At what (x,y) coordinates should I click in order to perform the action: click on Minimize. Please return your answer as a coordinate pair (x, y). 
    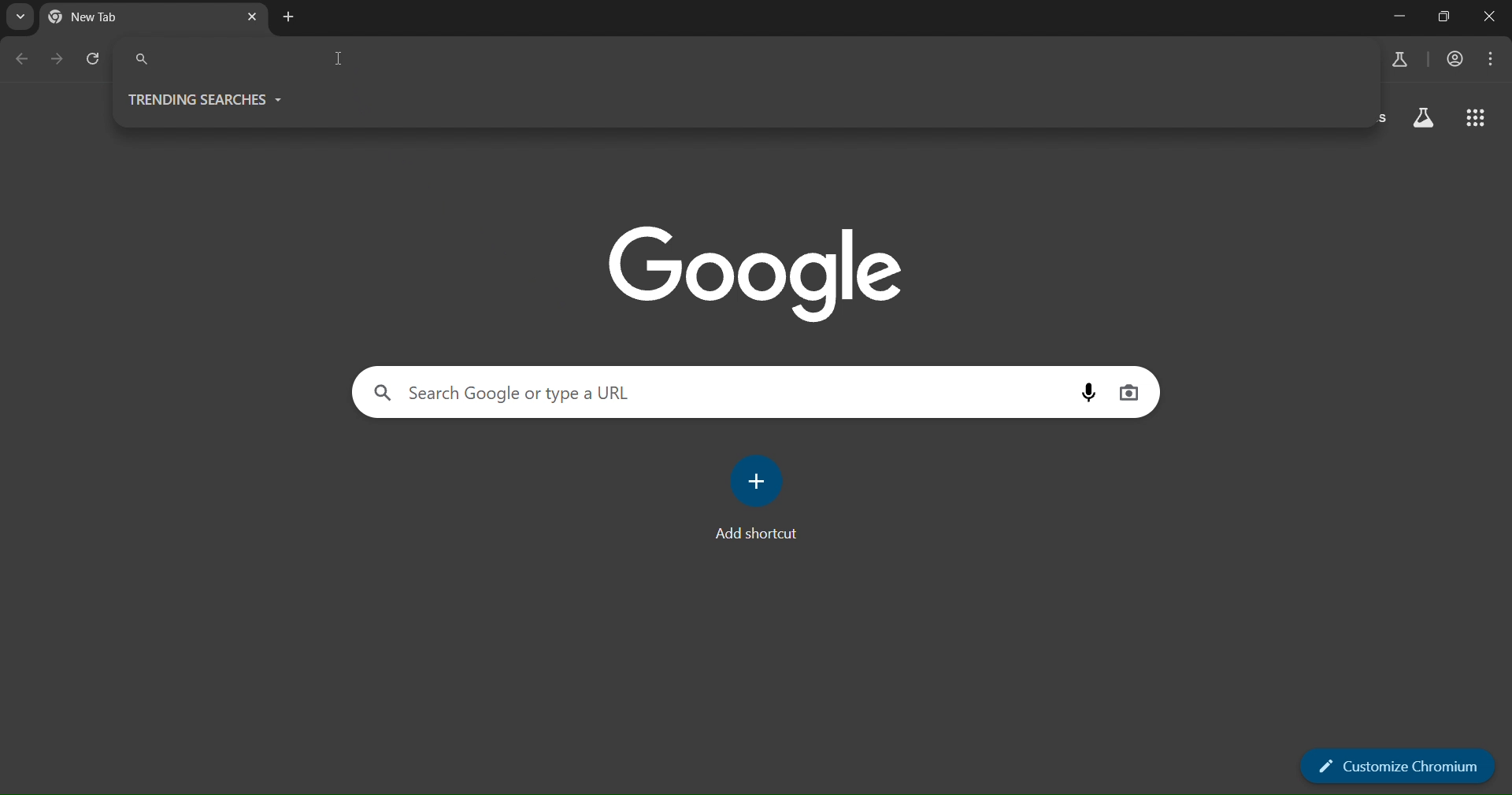
    Looking at the image, I should click on (1398, 16).